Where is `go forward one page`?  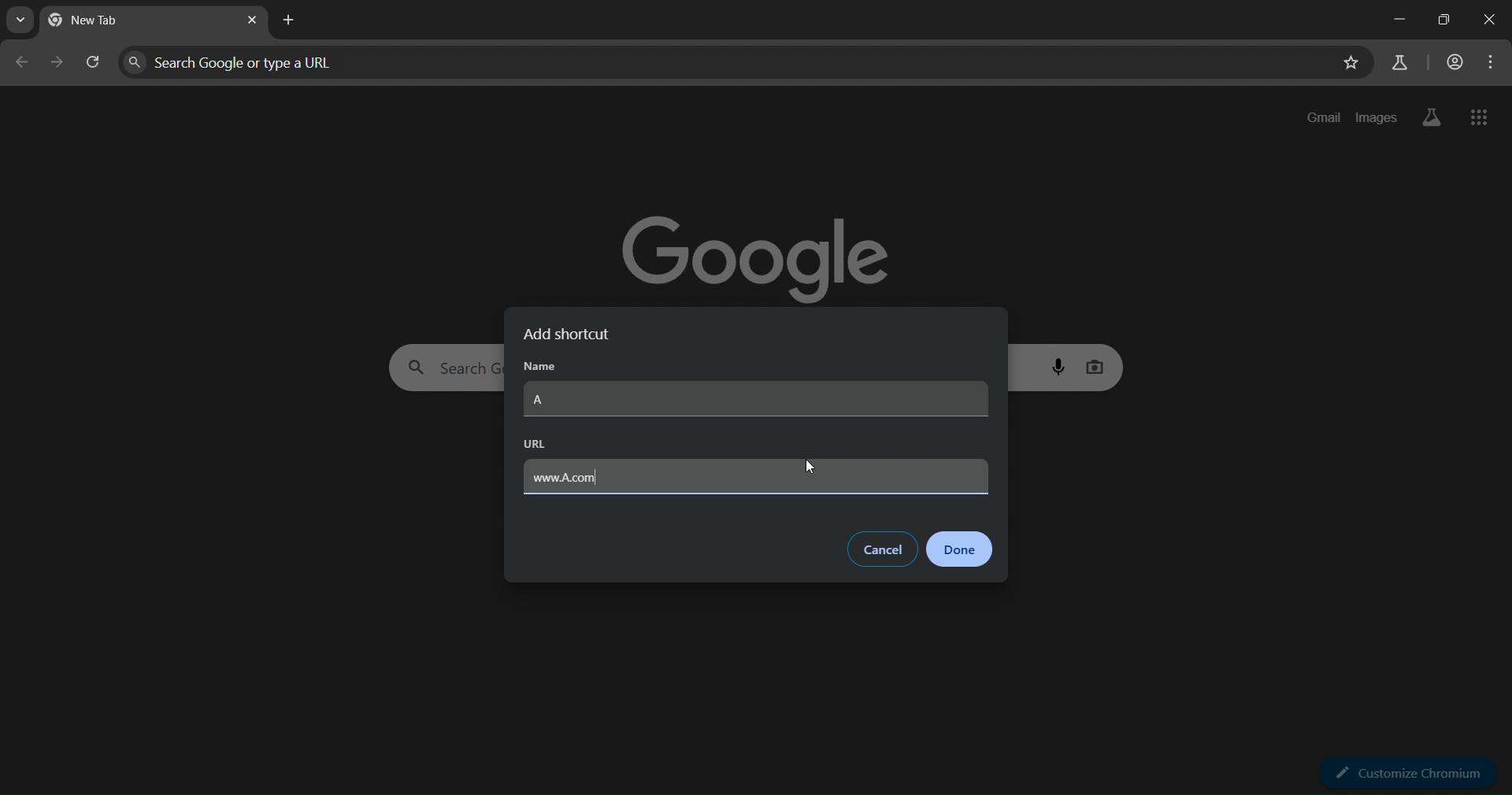 go forward one page is located at coordinates (58, 65).